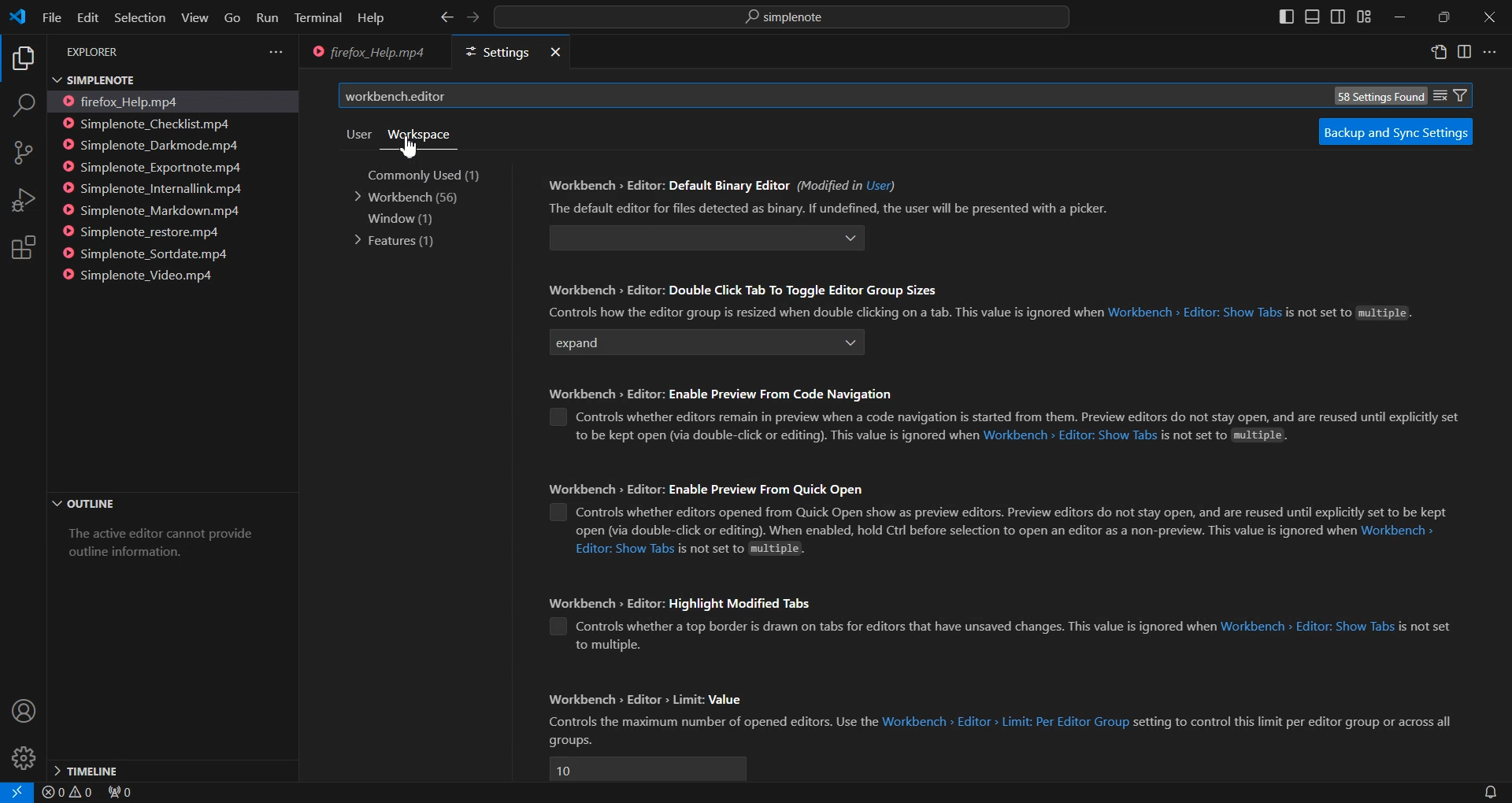 The width and height of the screenshot is (1512, 803). Describe the element at coordinates (22, 712) in the screenshot. I see `Account` at that location.